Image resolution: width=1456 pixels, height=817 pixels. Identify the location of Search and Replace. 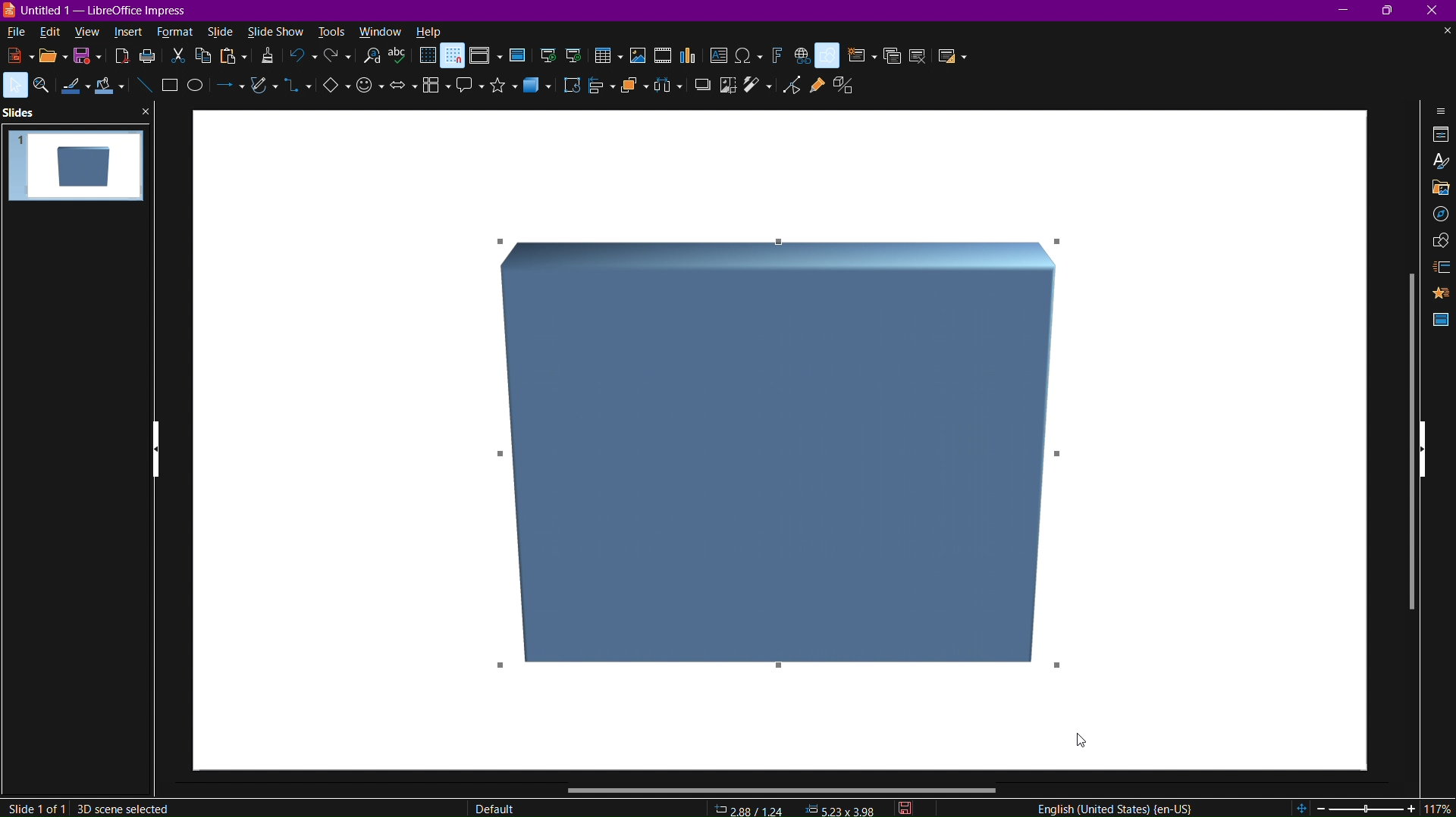
(374, 60).